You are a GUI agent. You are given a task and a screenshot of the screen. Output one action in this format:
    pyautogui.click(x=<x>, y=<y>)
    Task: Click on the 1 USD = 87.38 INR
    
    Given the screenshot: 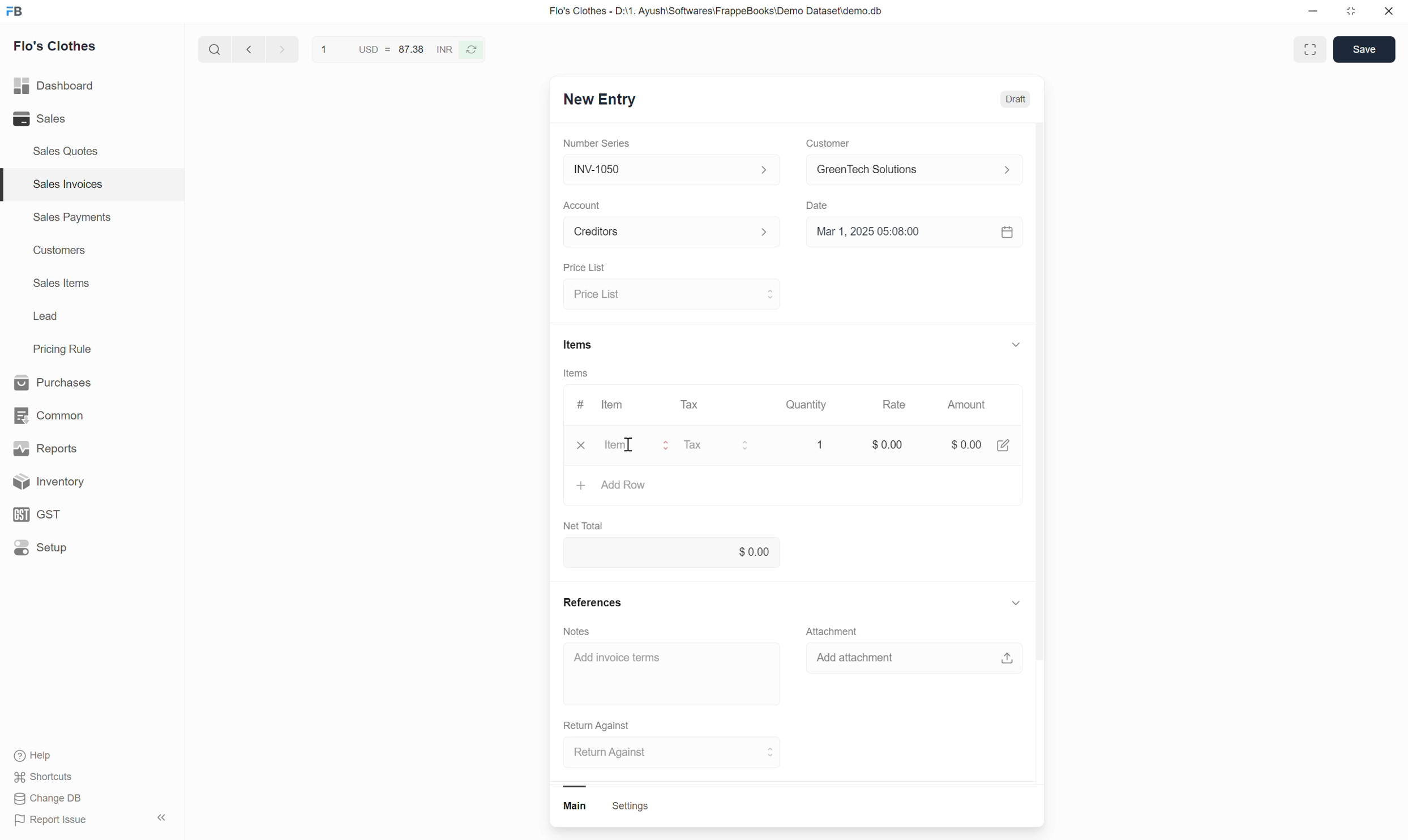 What is the action you would take?
    pyautogui.click(x=383, y=50)
    